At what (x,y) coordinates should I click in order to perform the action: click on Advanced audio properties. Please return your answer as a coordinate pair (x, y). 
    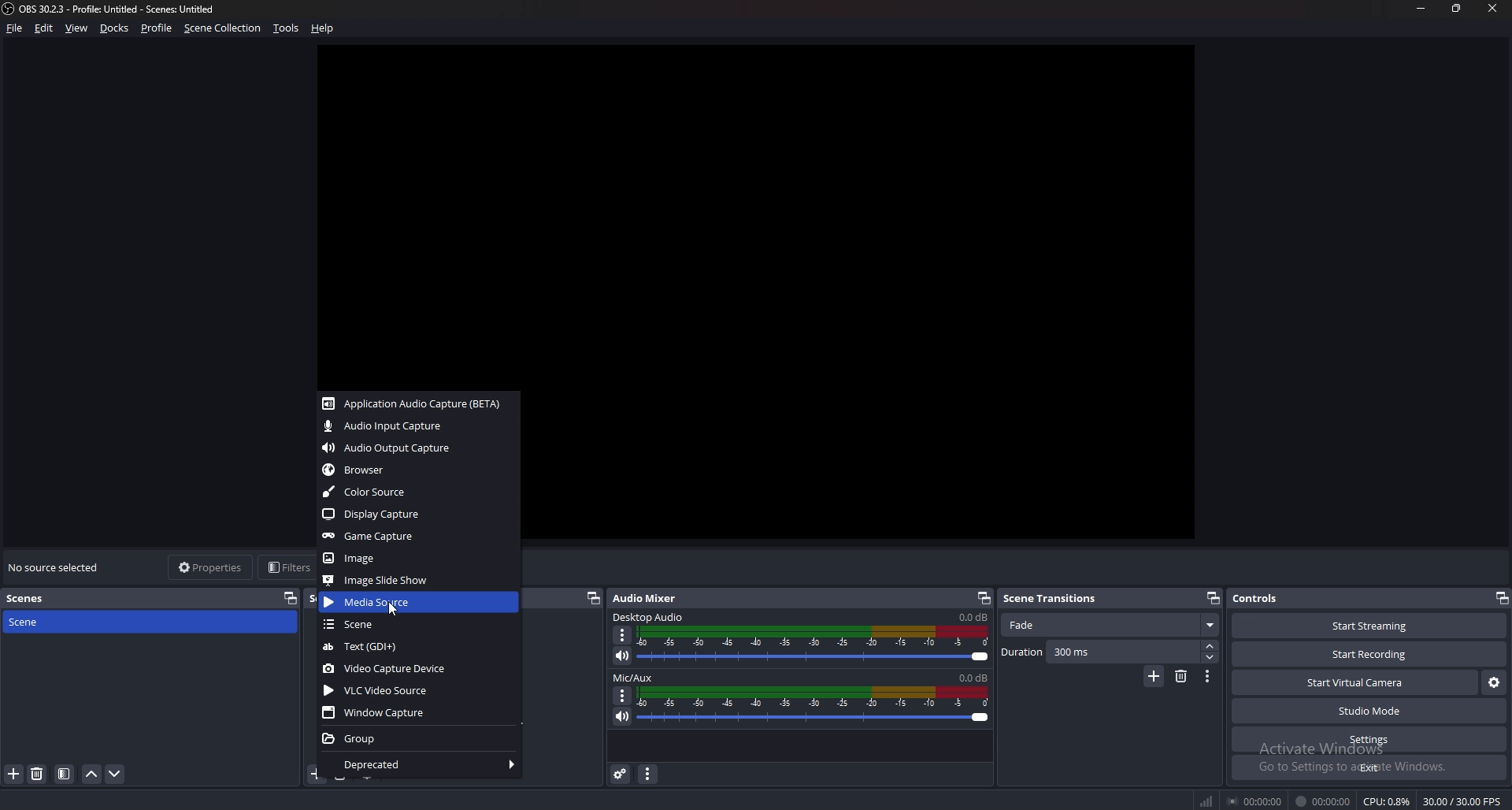
    Looking at the image, I should click on (622, 774).